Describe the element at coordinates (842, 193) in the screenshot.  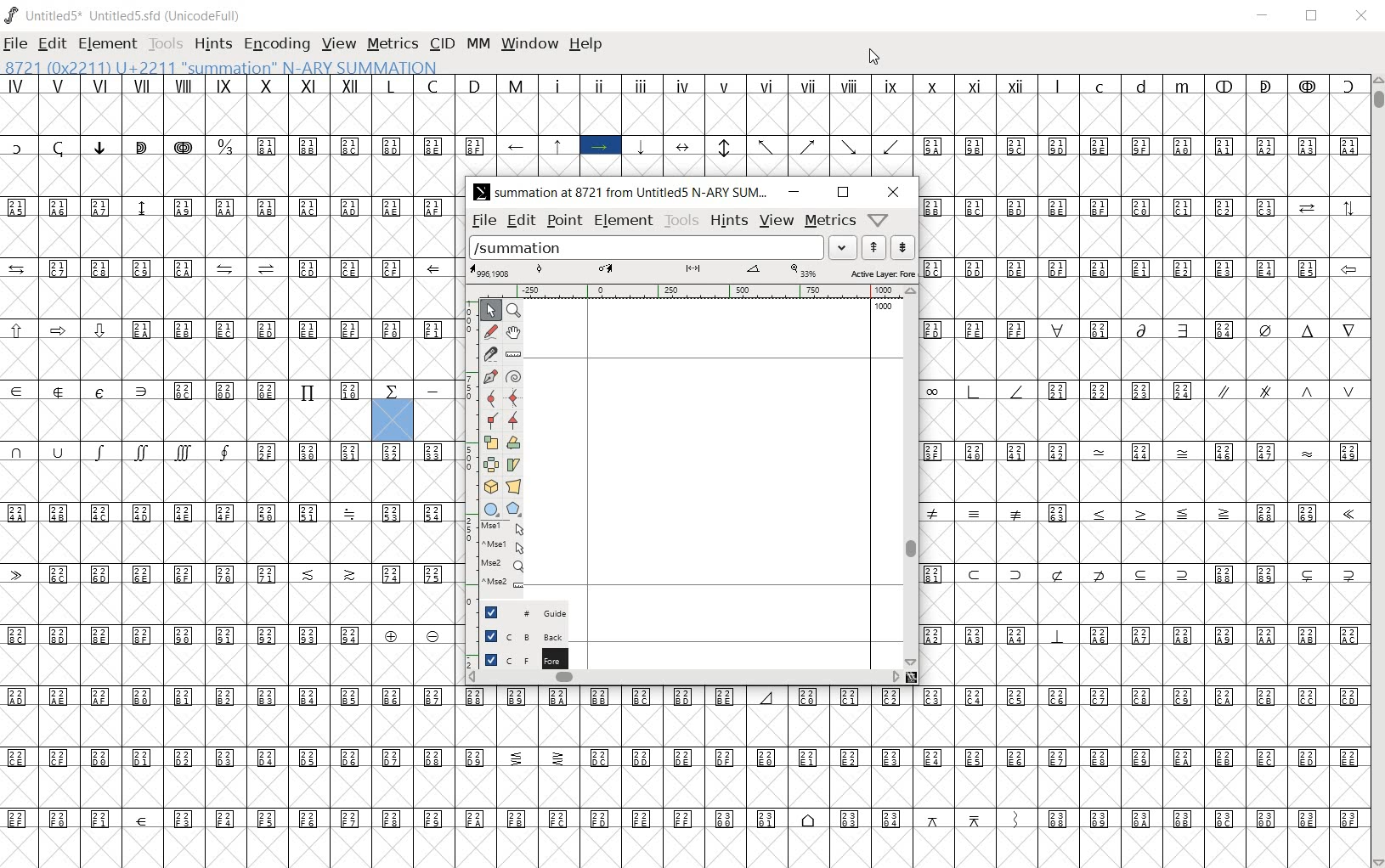
I see `restore` at that location.